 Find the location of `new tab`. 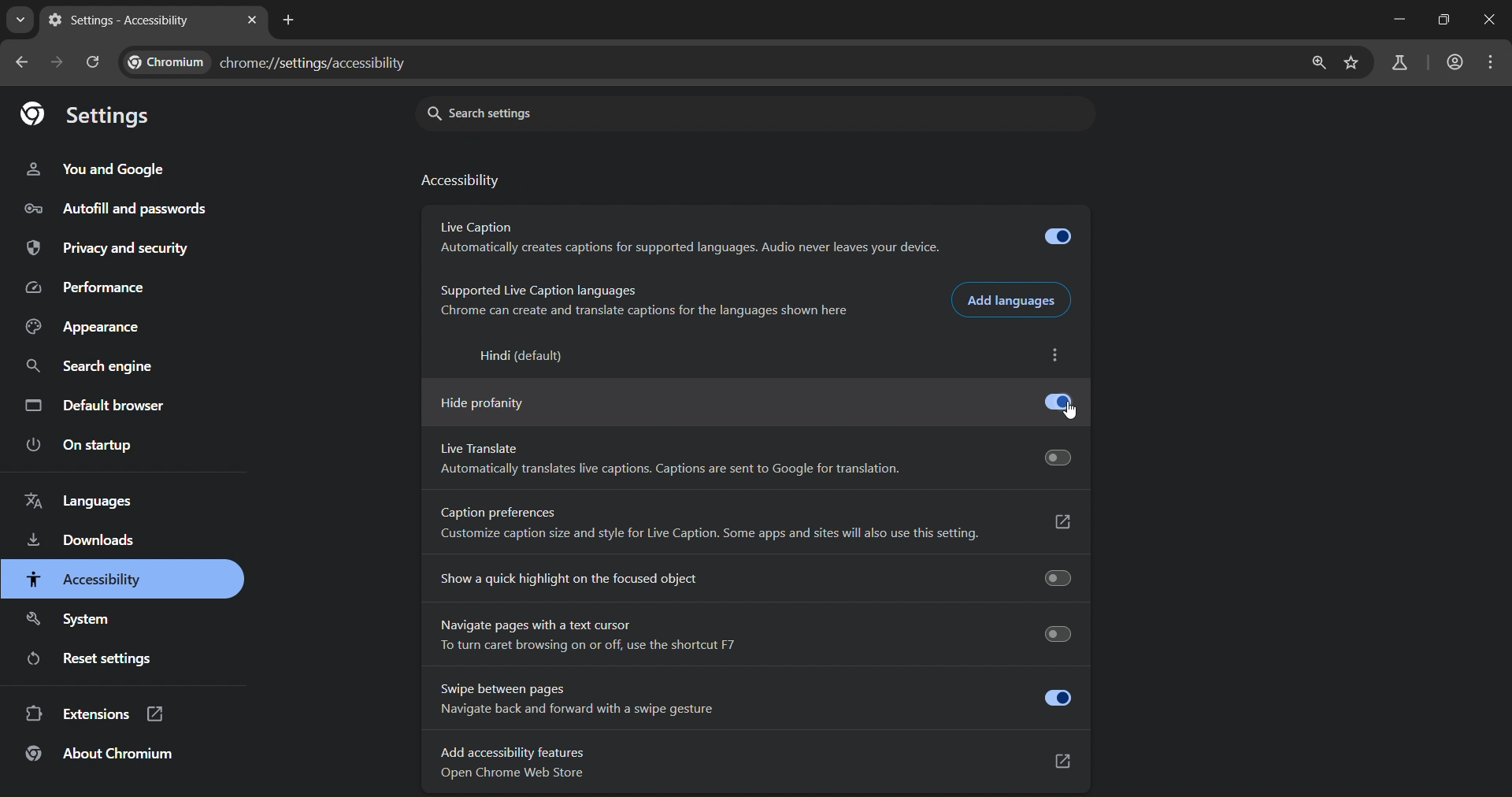

new tab is located at coordinates (289, 21).